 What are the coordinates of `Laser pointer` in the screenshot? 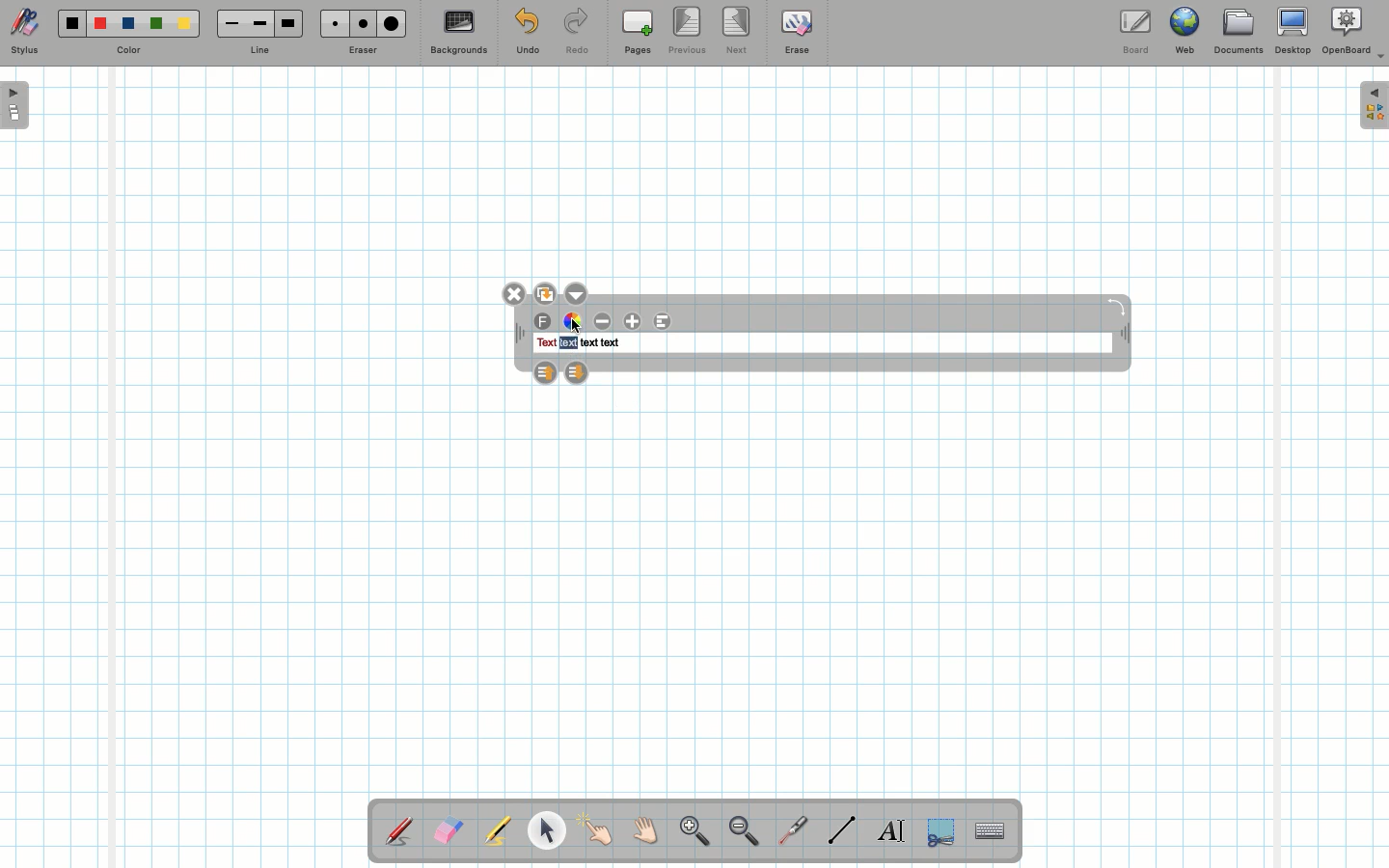 It's located at (789, 831).